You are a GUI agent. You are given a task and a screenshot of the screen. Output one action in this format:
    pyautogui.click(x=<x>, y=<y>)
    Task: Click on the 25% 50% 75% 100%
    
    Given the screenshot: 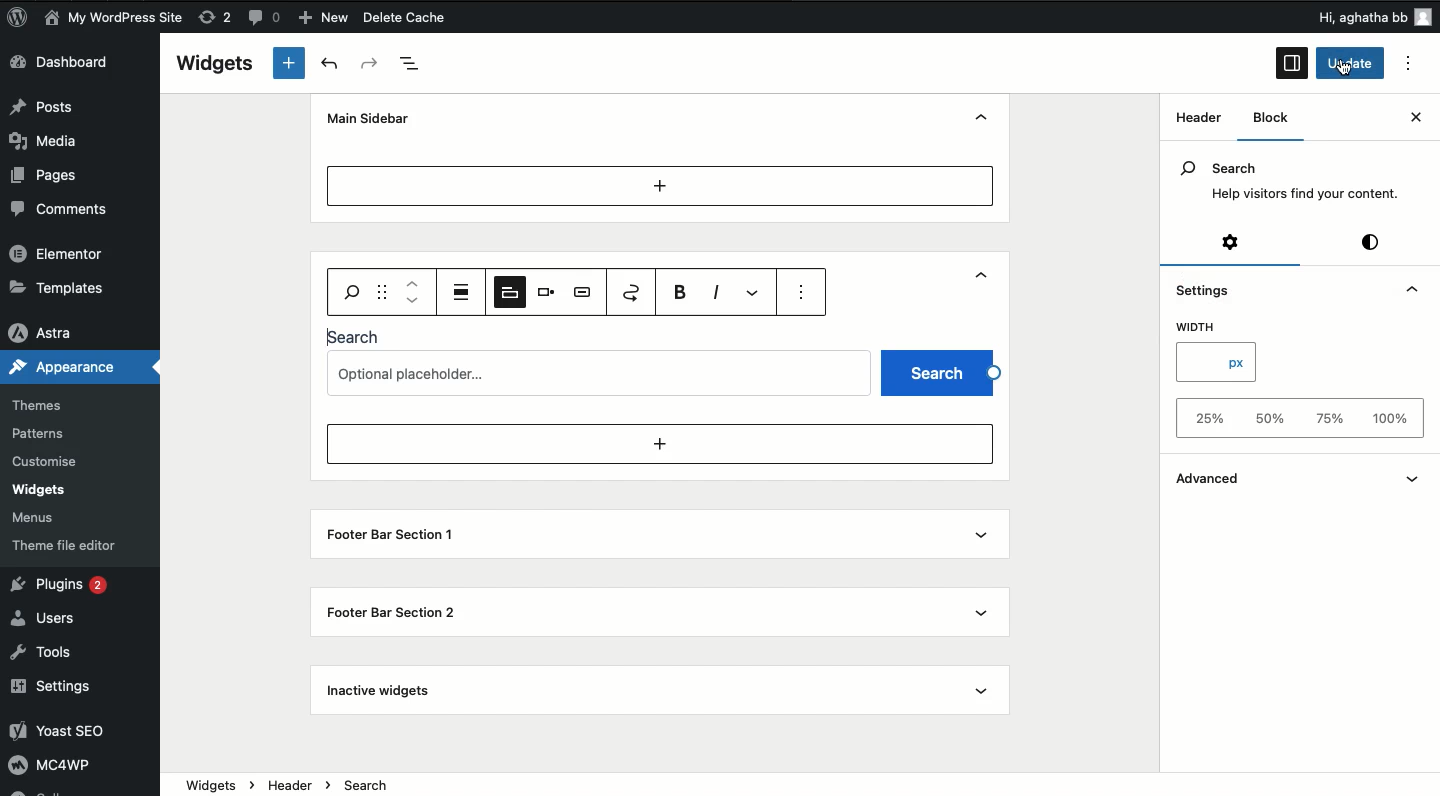 What is the action you would take?
    pyautogui.click(x=1294, y=419)
    